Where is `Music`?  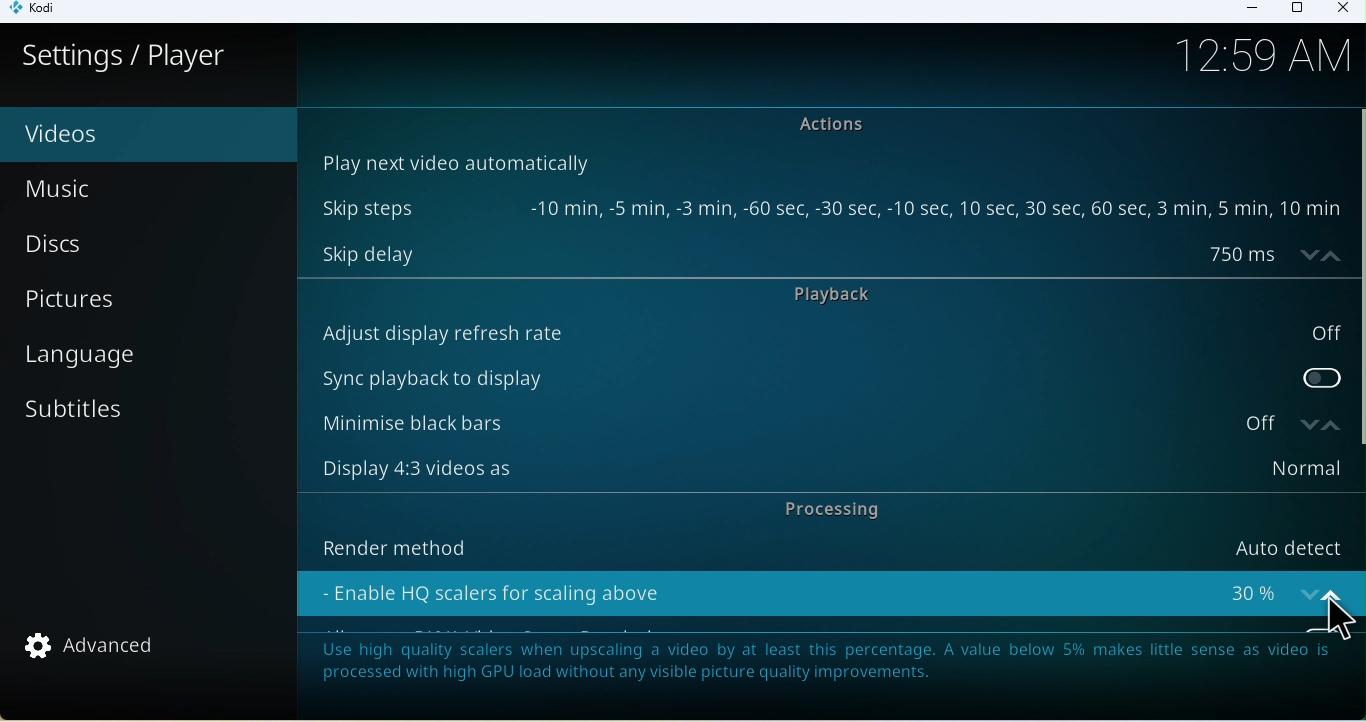 Music is located at coordinates (106, 190).